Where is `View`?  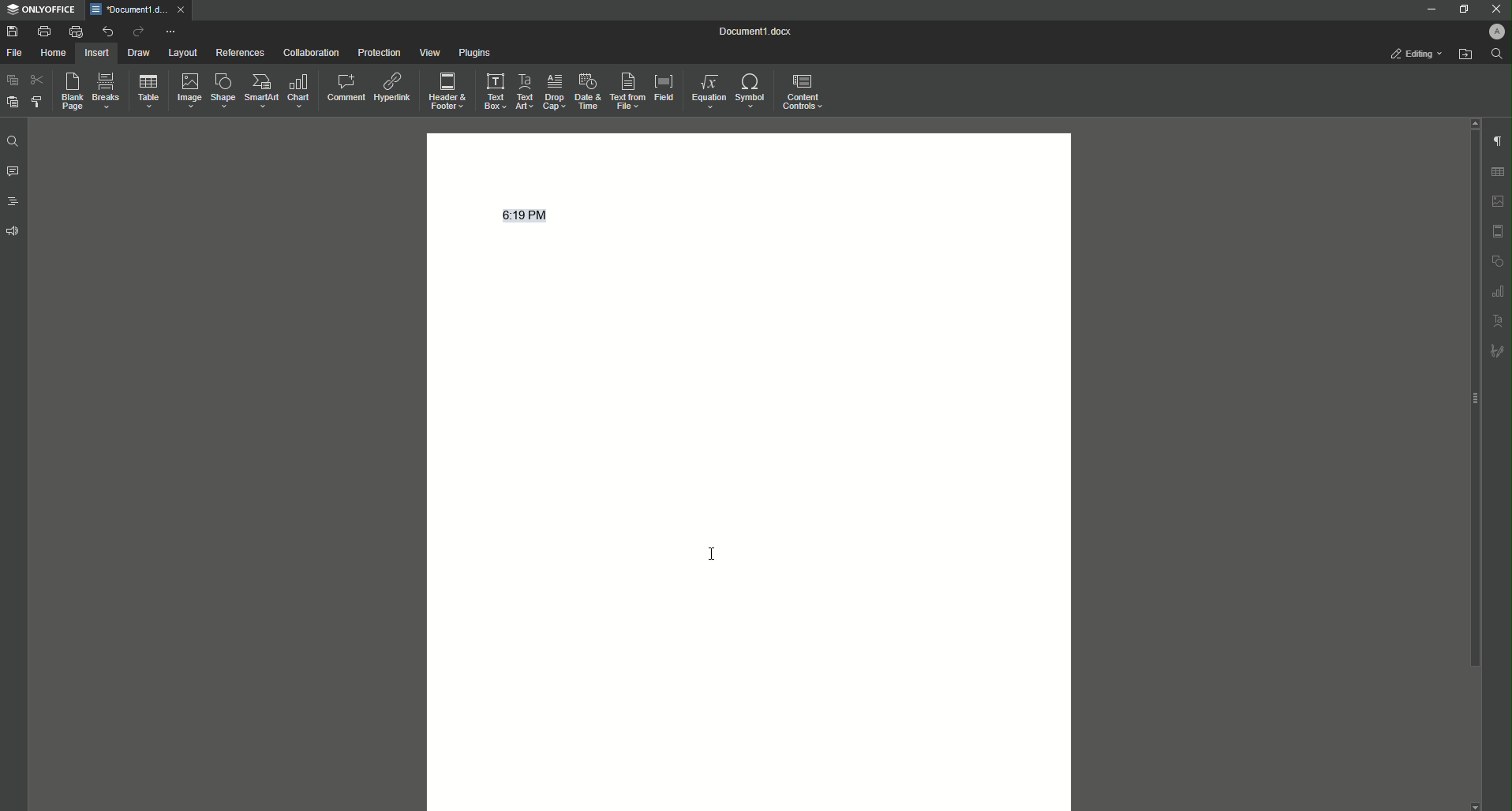
View is located at coordinates (425, 52).